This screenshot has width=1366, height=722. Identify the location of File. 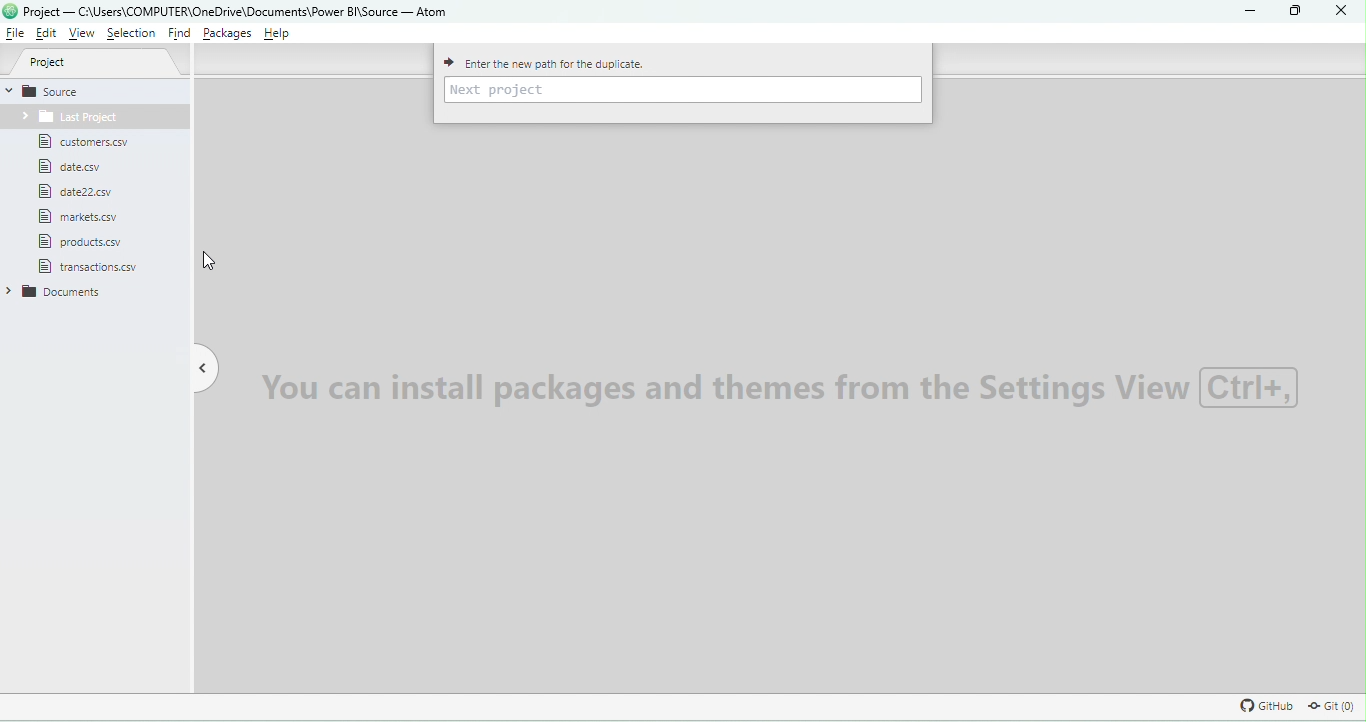
(95, 267).